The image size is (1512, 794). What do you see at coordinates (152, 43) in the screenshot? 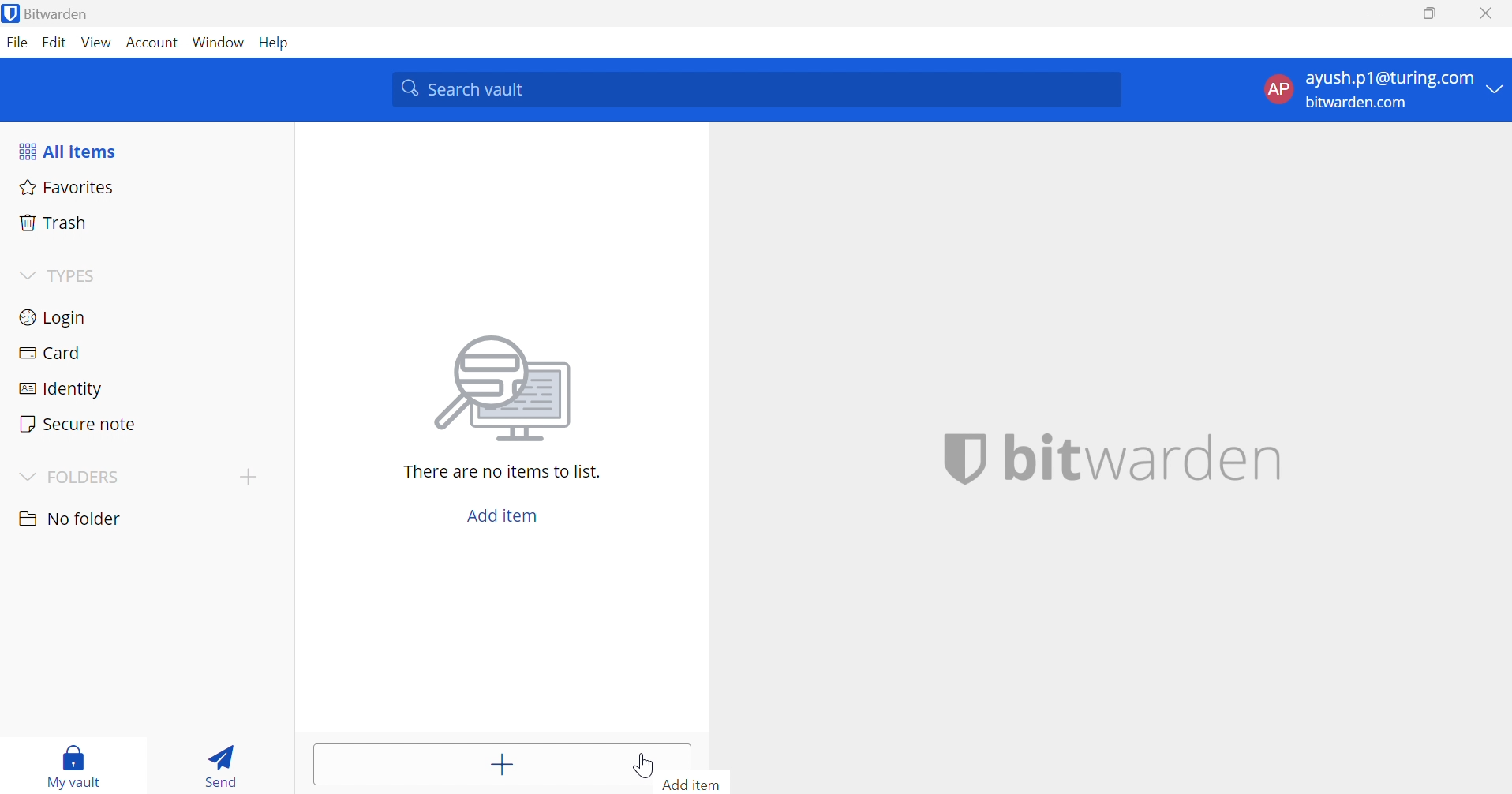
I see `Account` at bounding box center [152, 43].